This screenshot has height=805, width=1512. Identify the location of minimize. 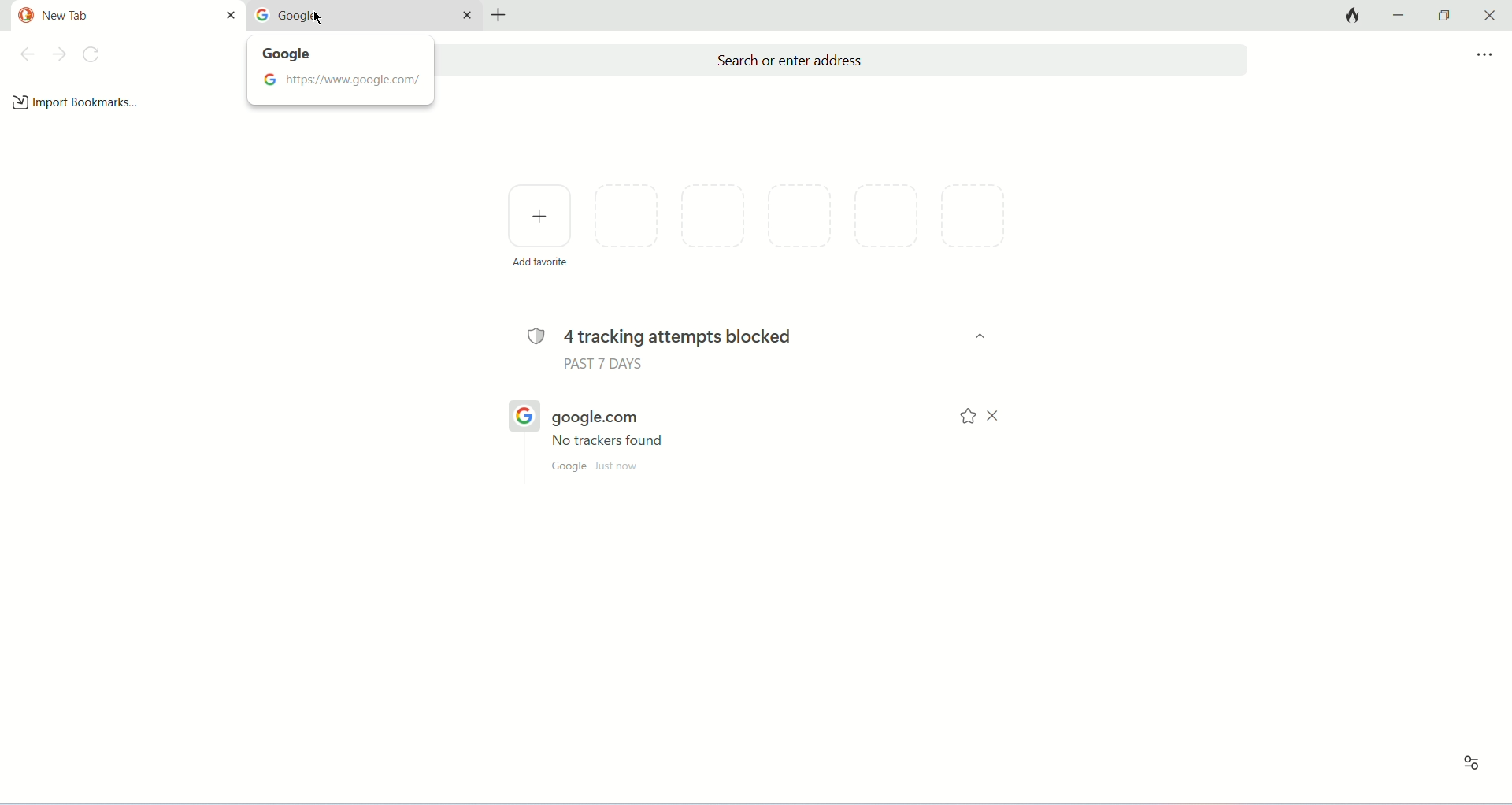
(1398, 16).